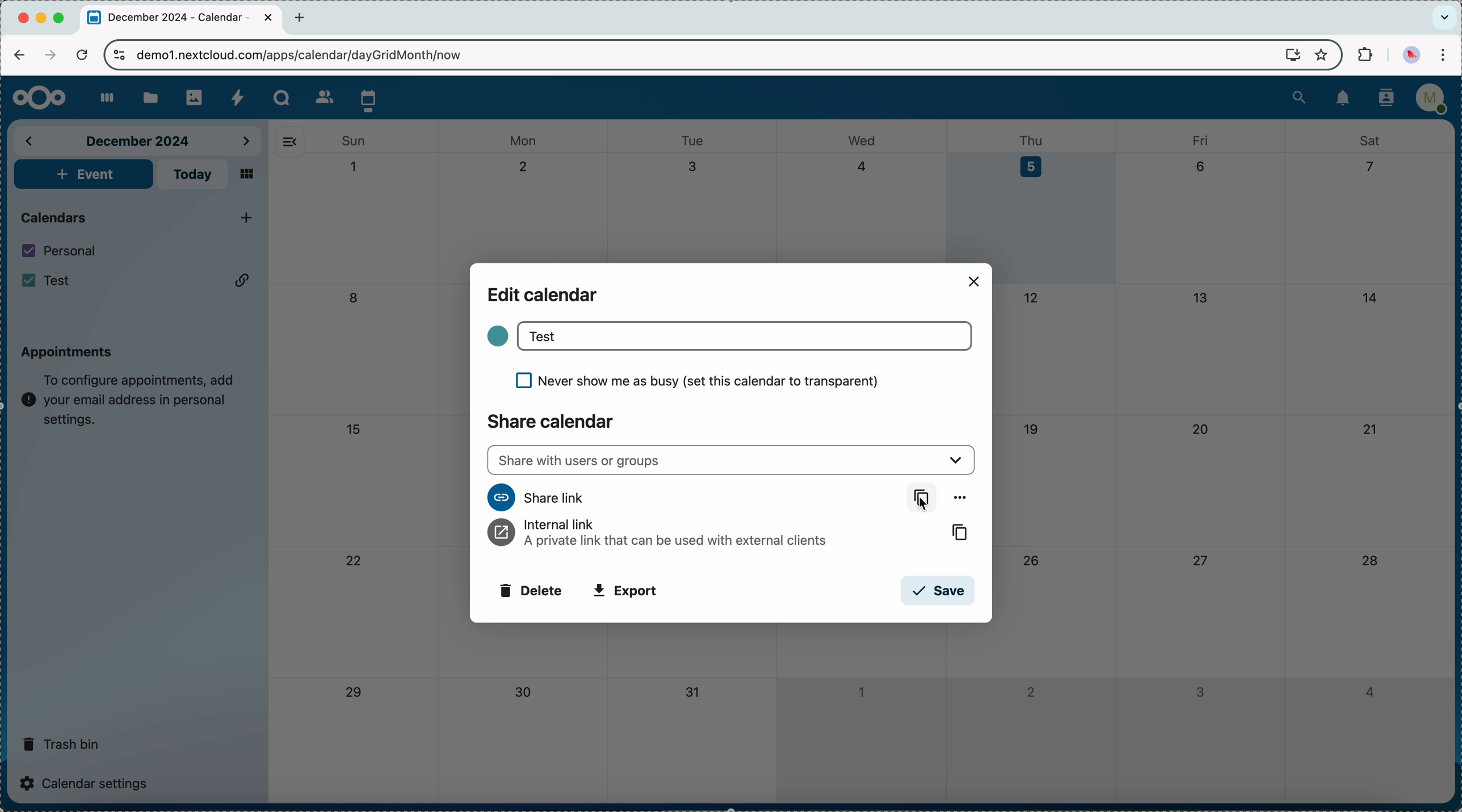 The height and width of the screenshot is (812, 1462). What do you see at coordinates (936, 590) in the screenshot?
I see `save button` at bounding box center [936, 590].